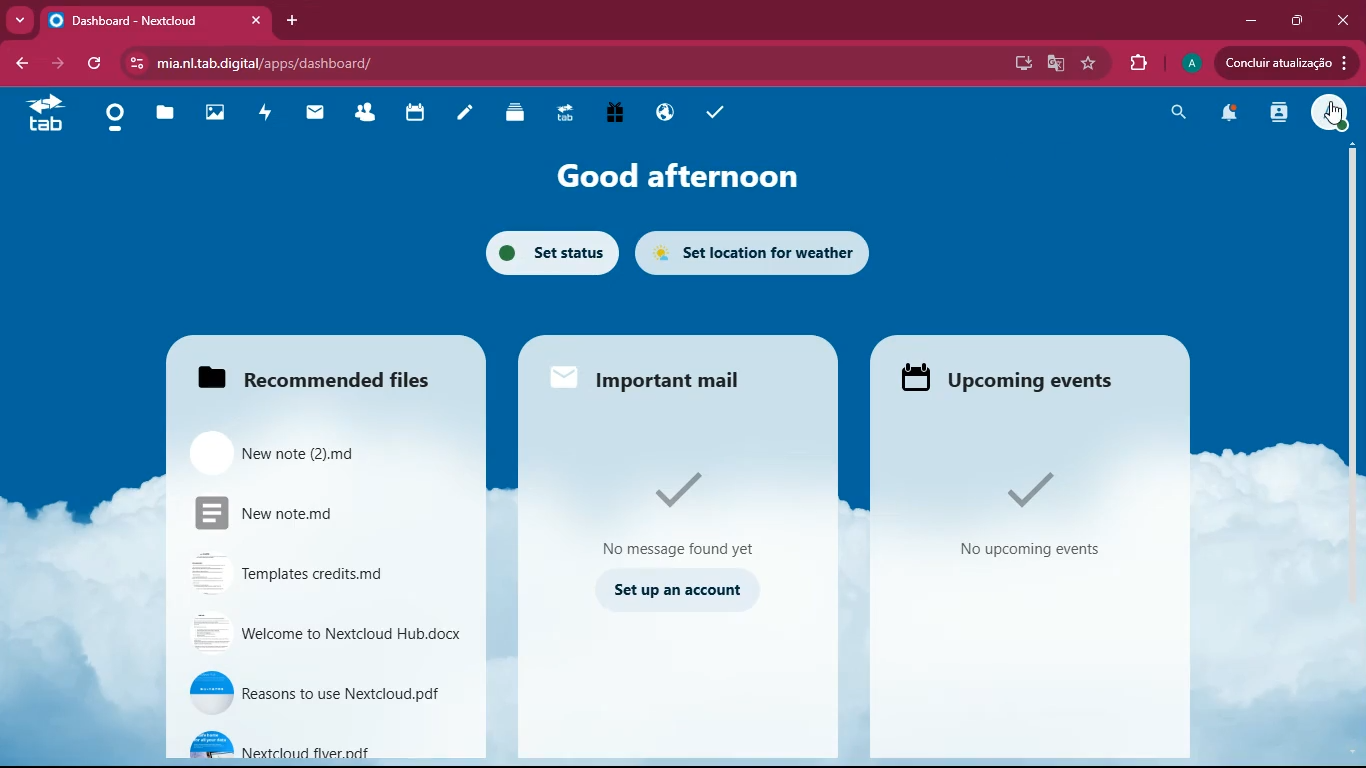 The image size is (1366, 768). I want to click on files, so click(310, 376).